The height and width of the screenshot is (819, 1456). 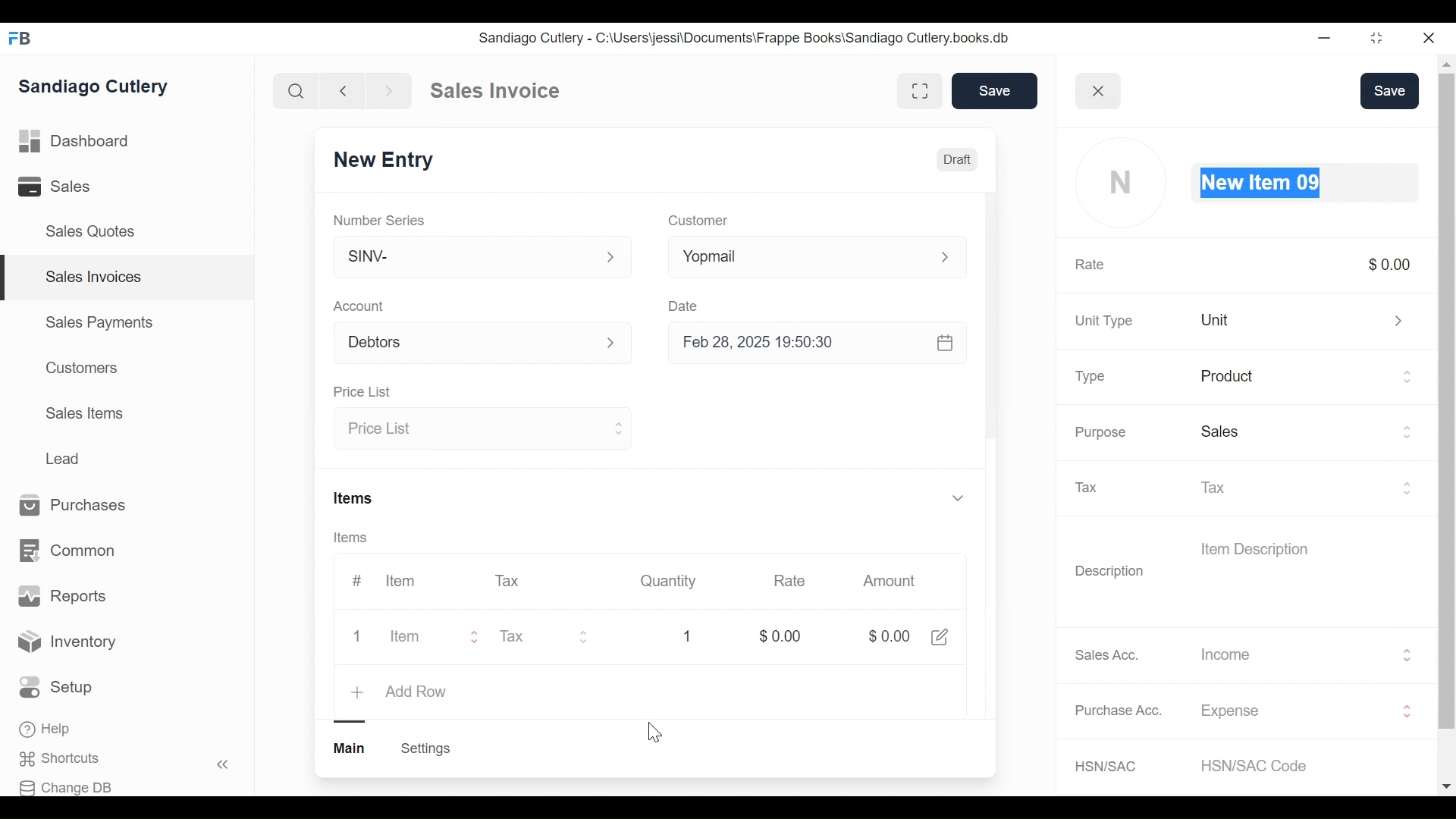 I want to click on Rate, so click(x=1090, y=265).